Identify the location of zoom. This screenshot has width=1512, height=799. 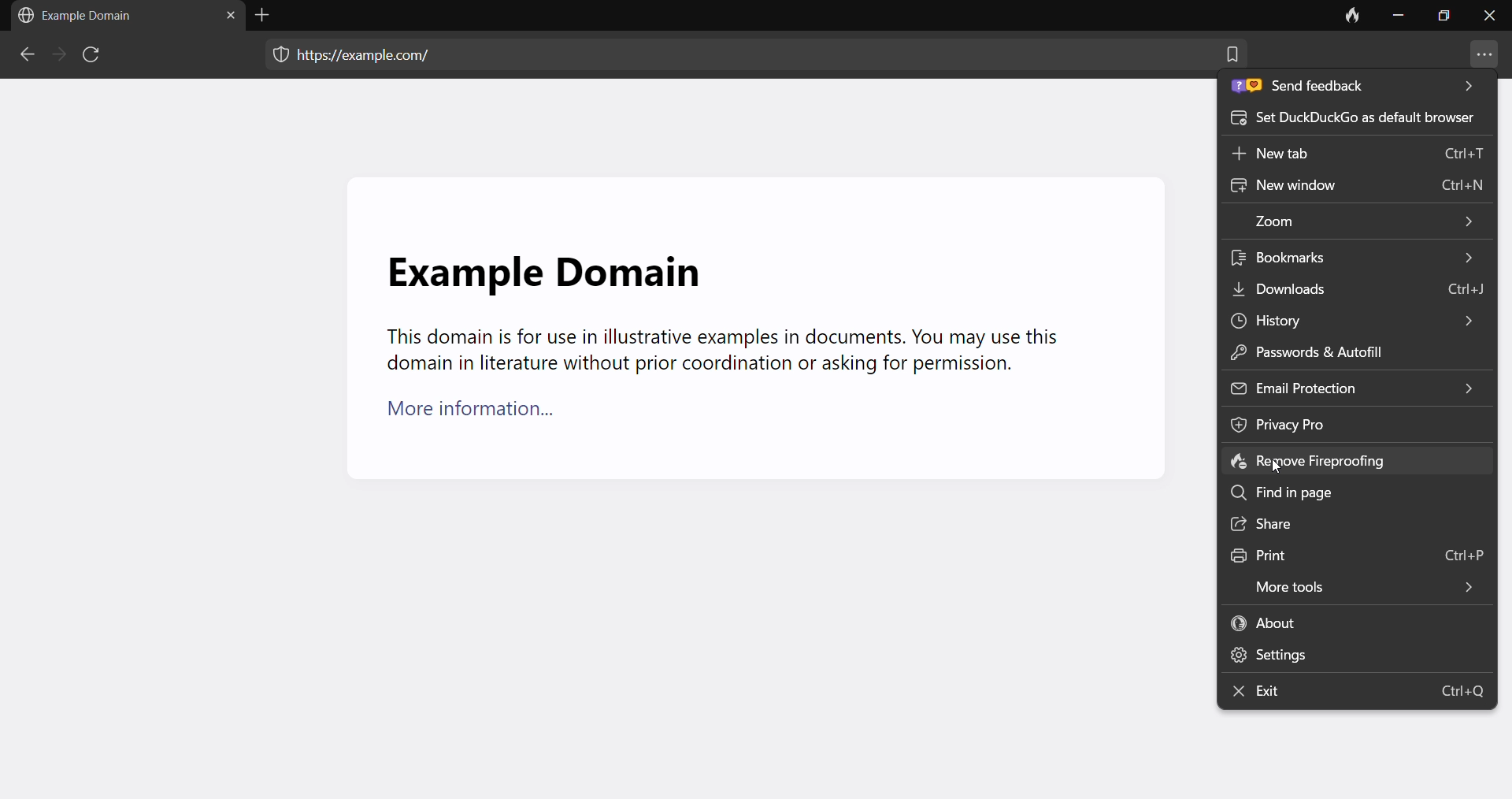
(1360, 221).